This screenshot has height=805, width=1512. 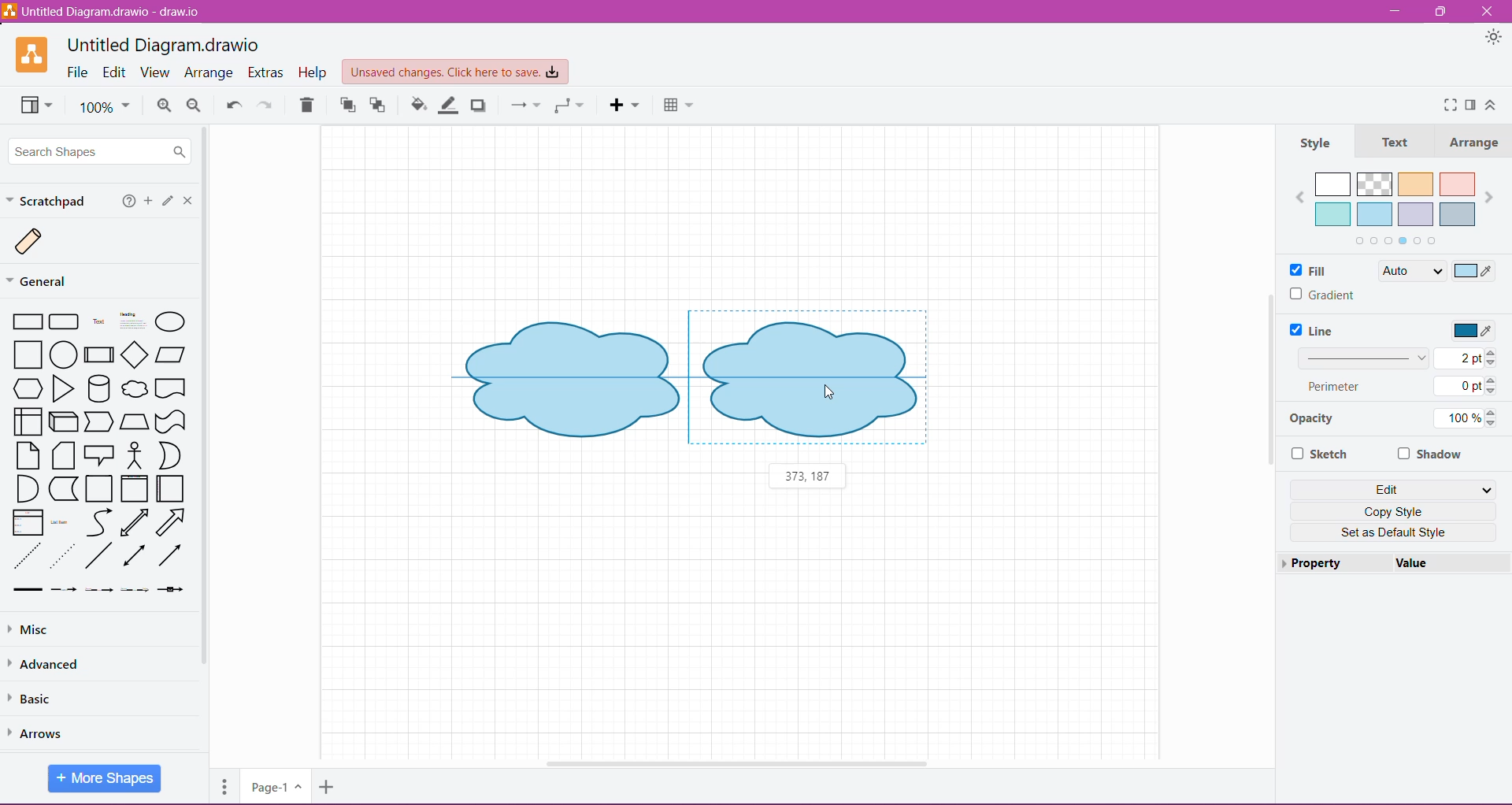 What do you see at coordinates (1310, 421) in the screenshot?
I see `Opacity` at bounding box center [1310, 421].